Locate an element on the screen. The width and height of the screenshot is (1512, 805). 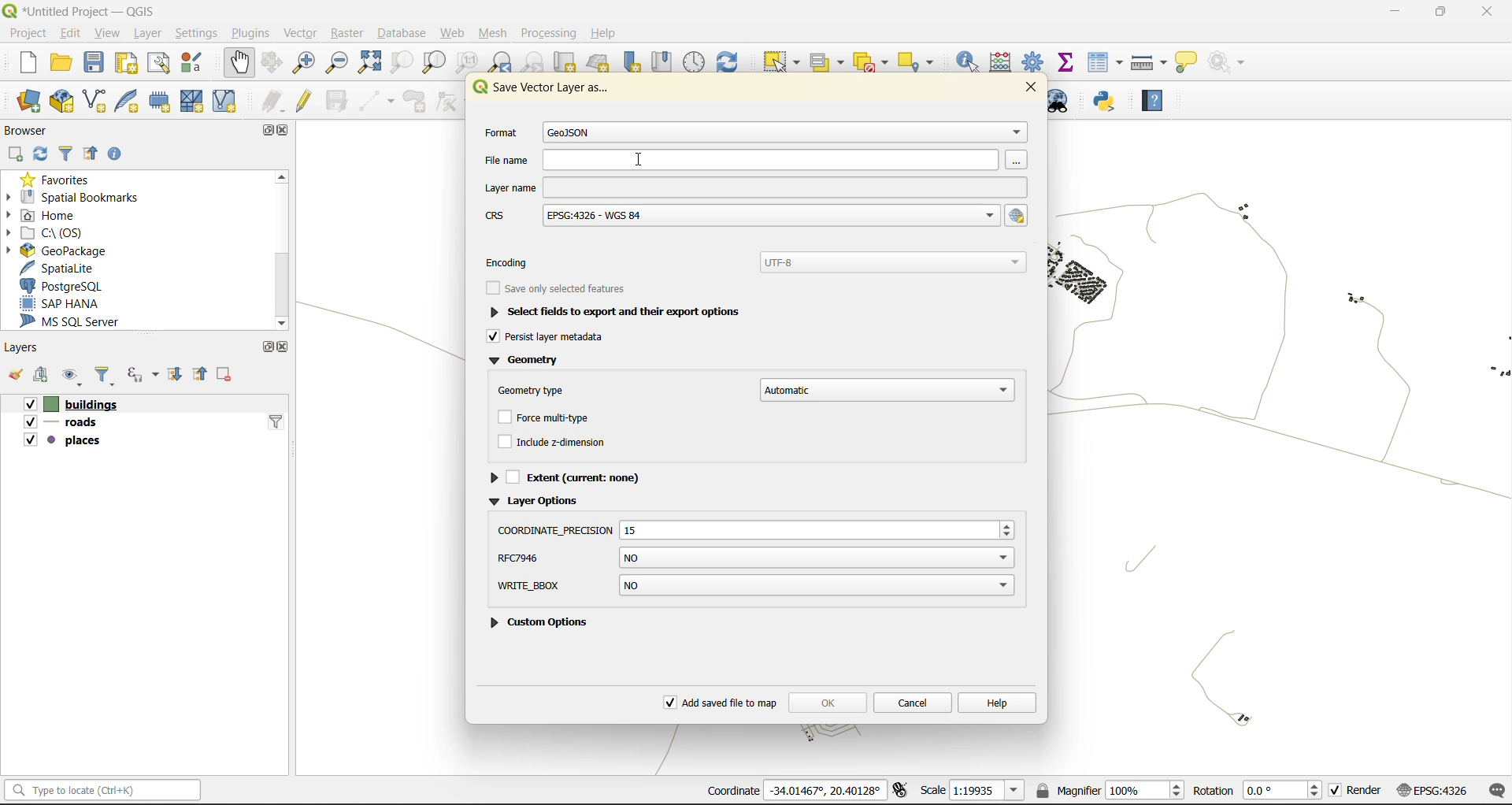
zoom last is located at coordinates (502, 61).